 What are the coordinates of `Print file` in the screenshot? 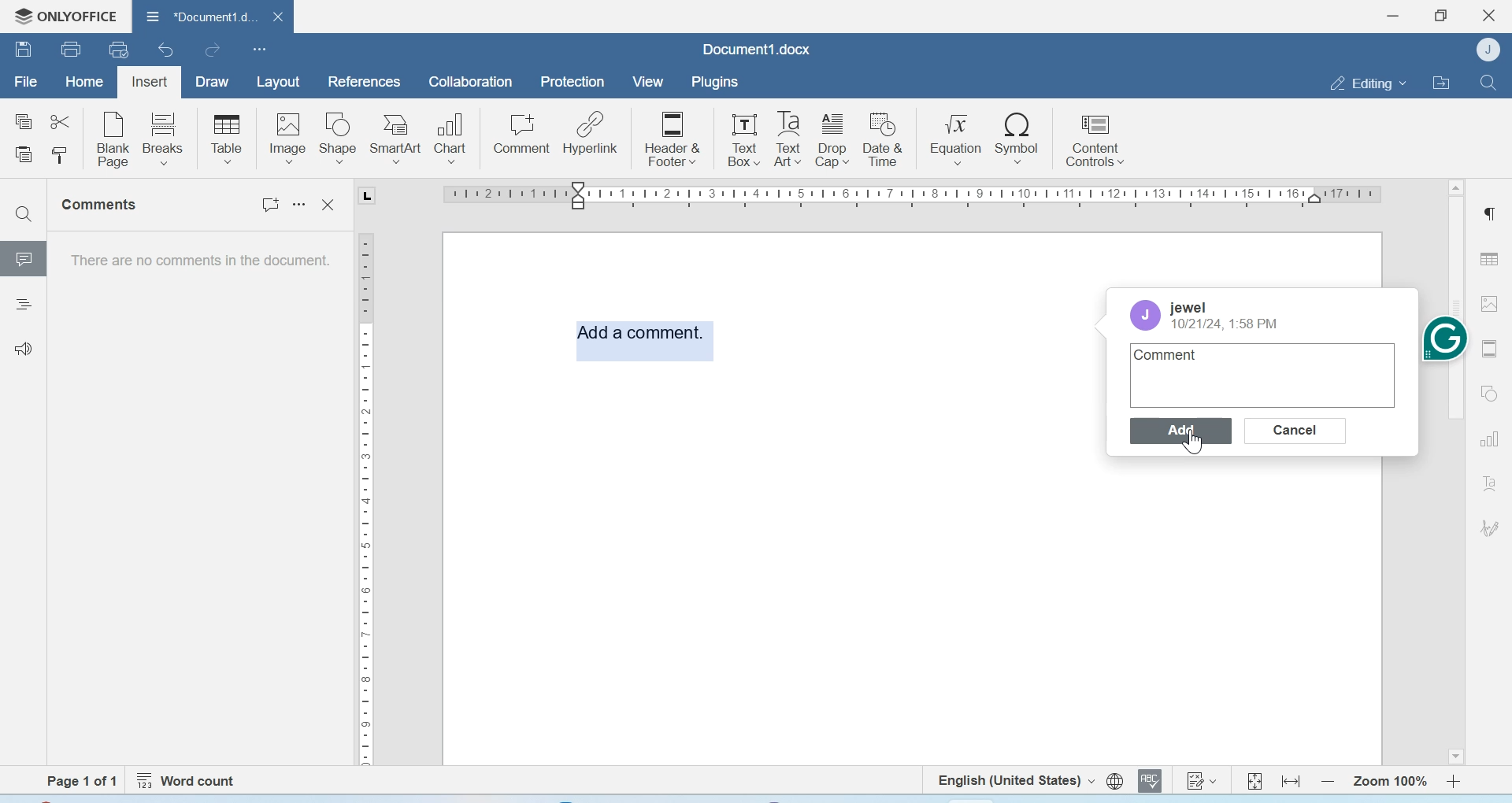 It's located at (73, 49).